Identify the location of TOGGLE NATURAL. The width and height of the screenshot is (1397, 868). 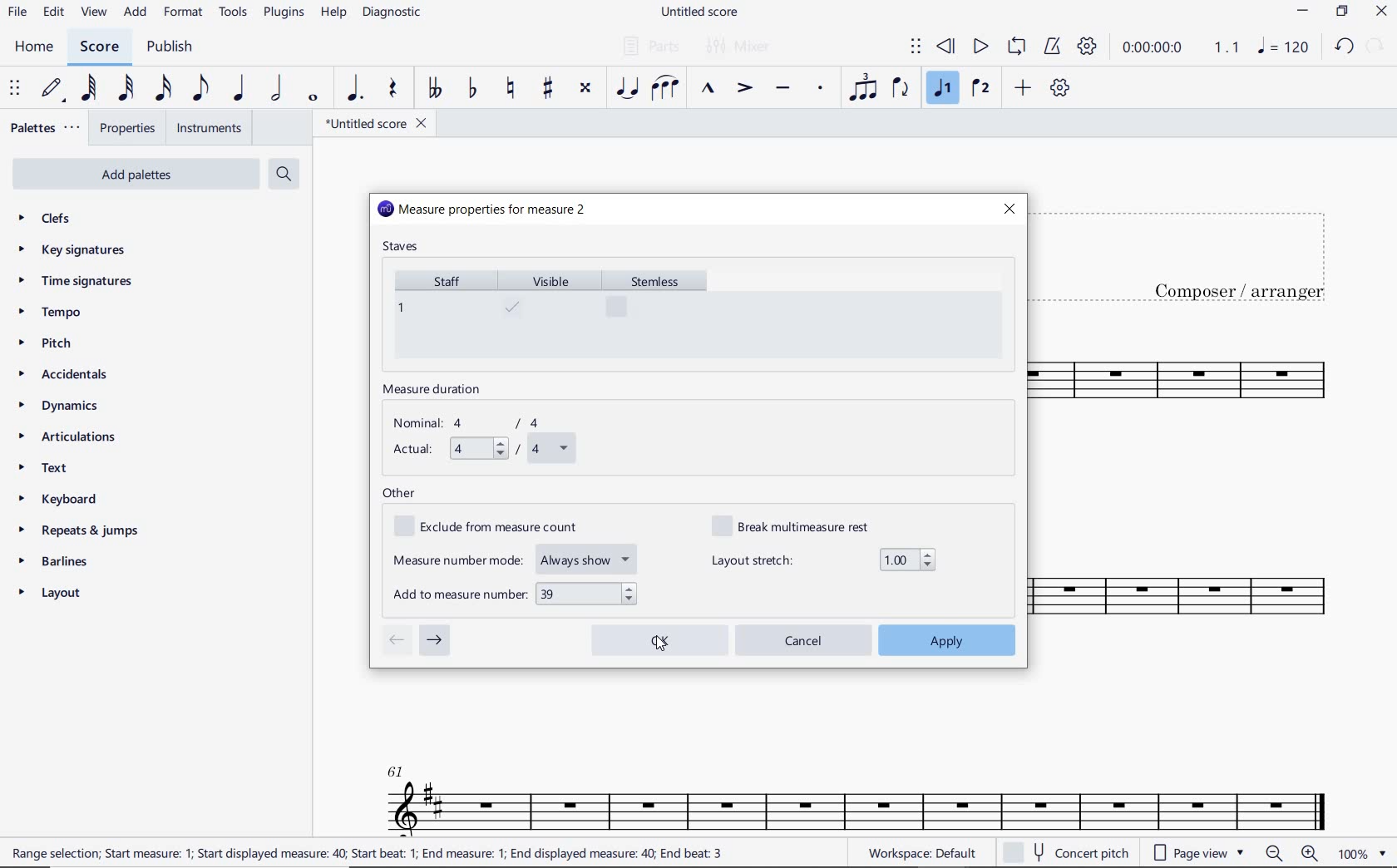
(513, 89).